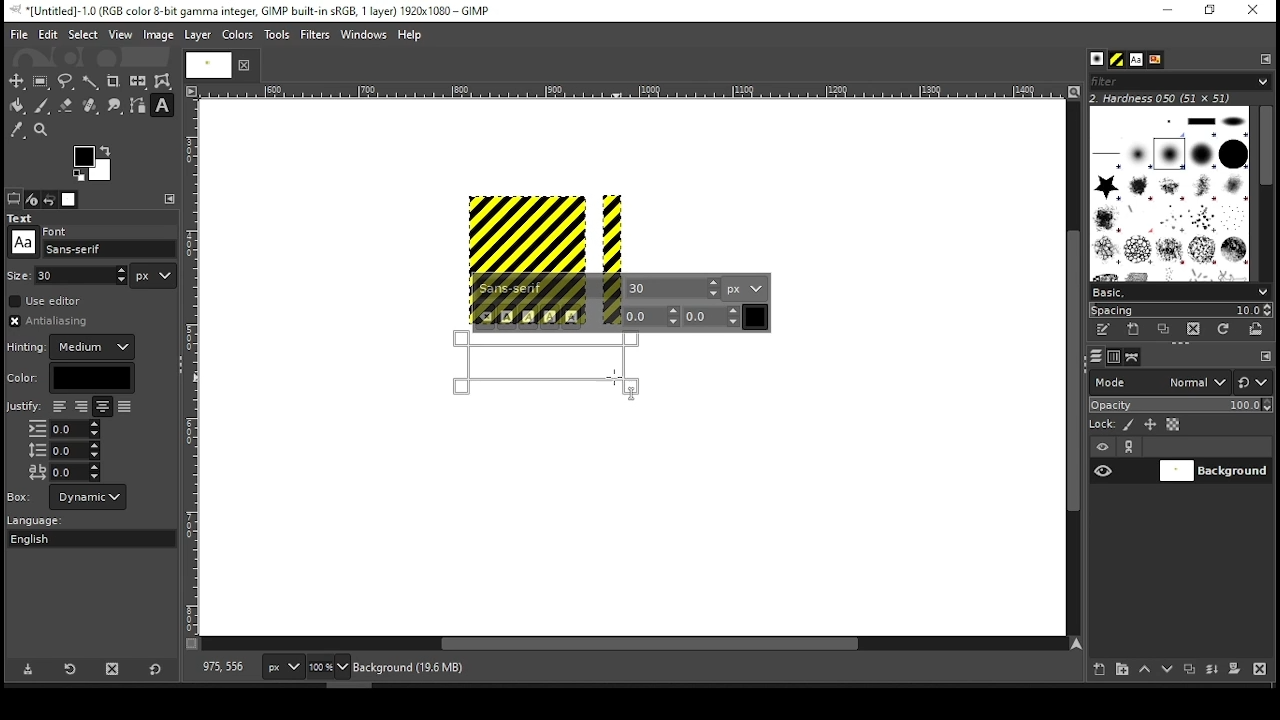 The image size is (1280, 720). Describe the element at coordinates (124, 408) in the screenshot. I see `filled` at that location.